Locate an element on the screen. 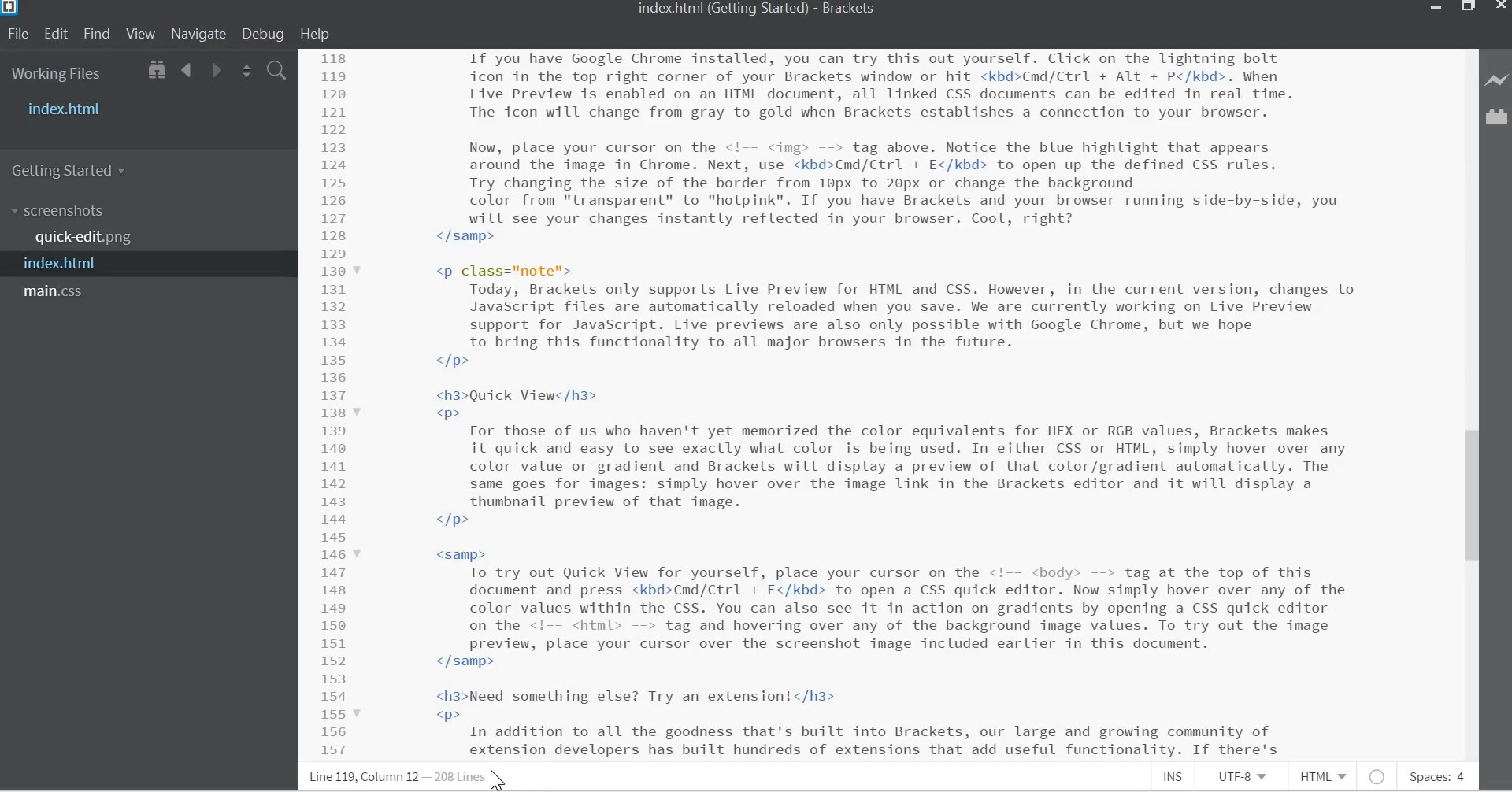  Show in File Tree is located at coordinates (157, 69).